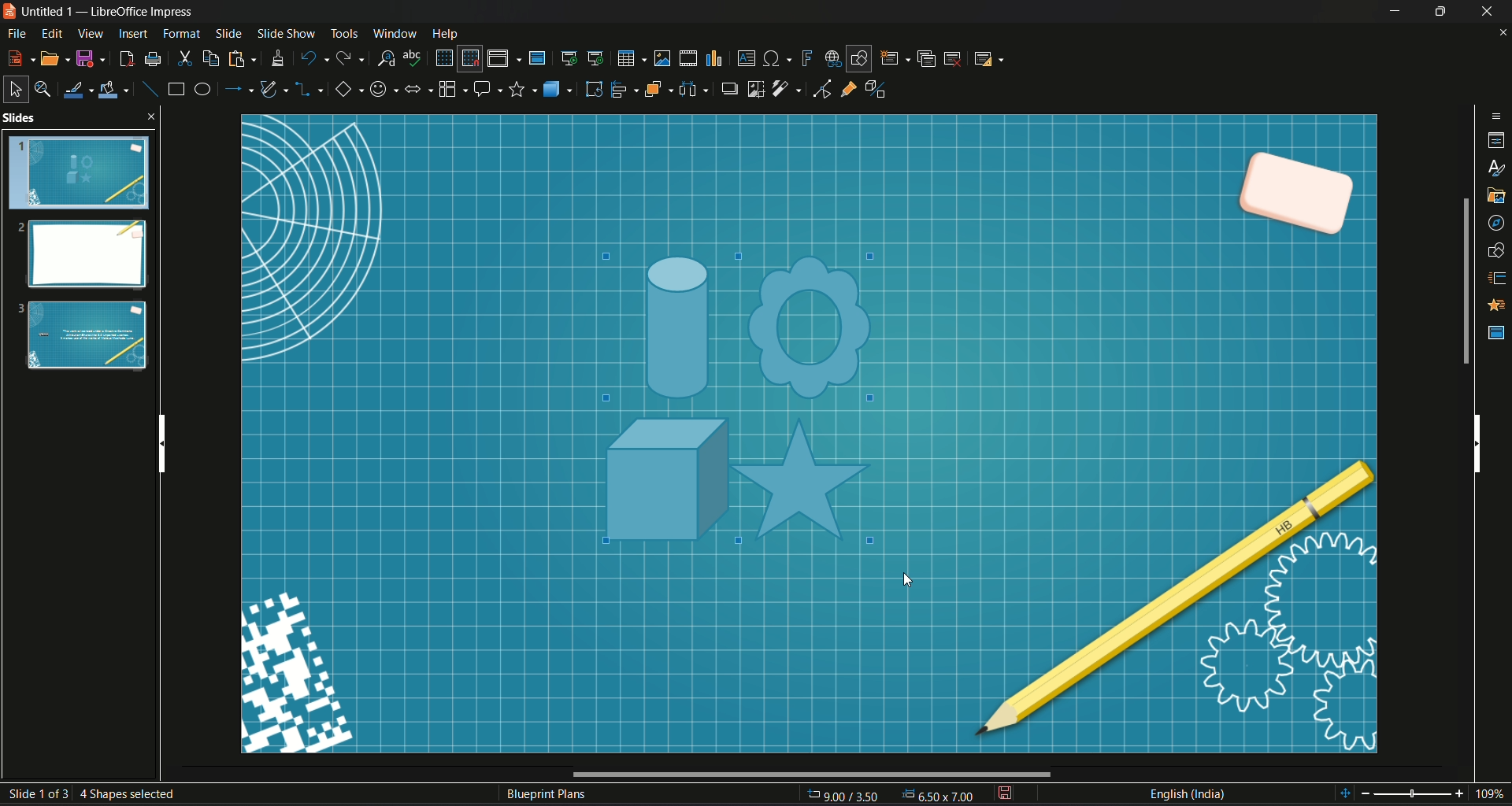  What do you see at coordinates (1488, 11) in the screenshot?
I see `Close` at bounding box center [1488, 11].